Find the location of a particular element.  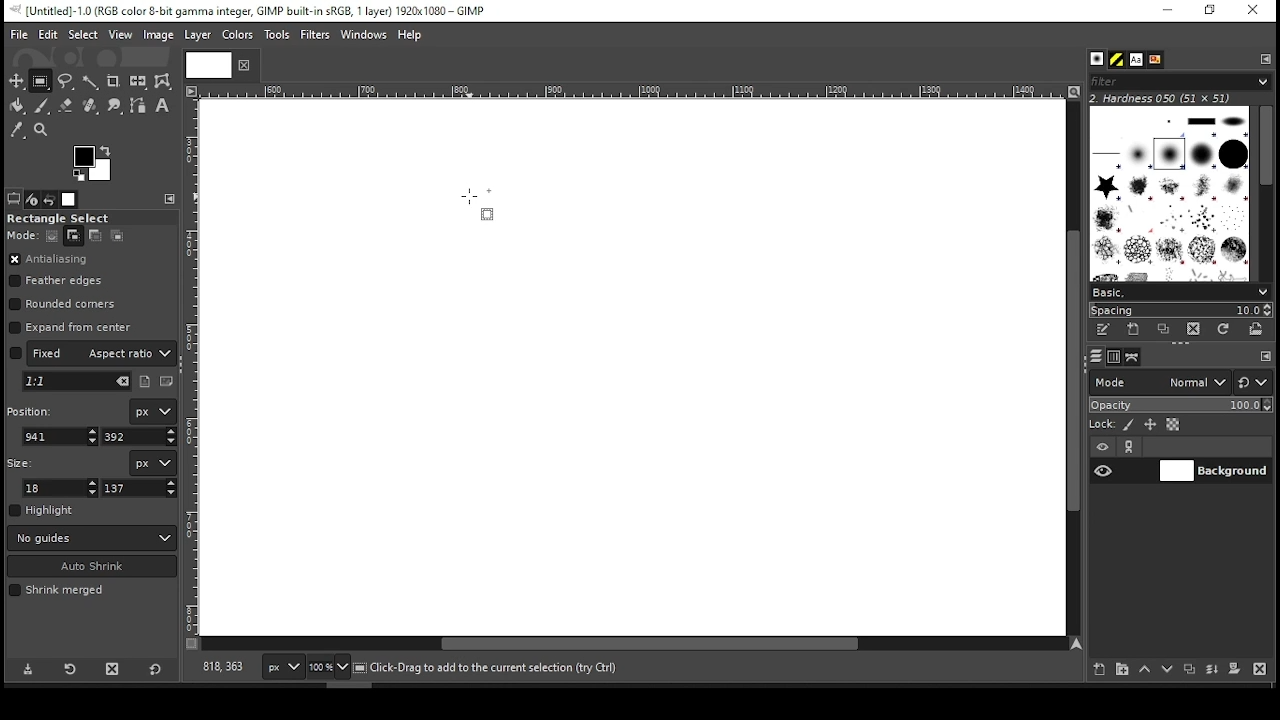

restore is located at coordinates (1212, 11).